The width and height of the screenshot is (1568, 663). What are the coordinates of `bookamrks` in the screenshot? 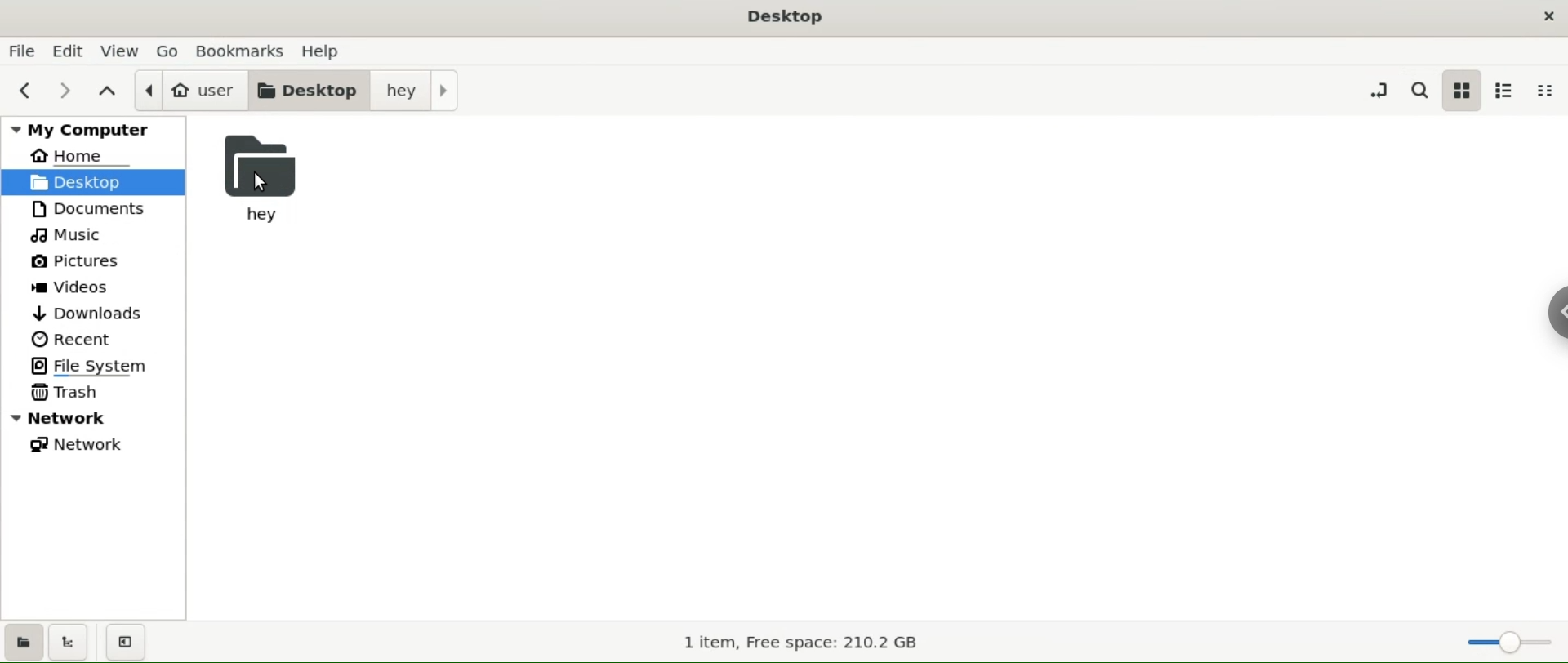 It's located at (234, 51).